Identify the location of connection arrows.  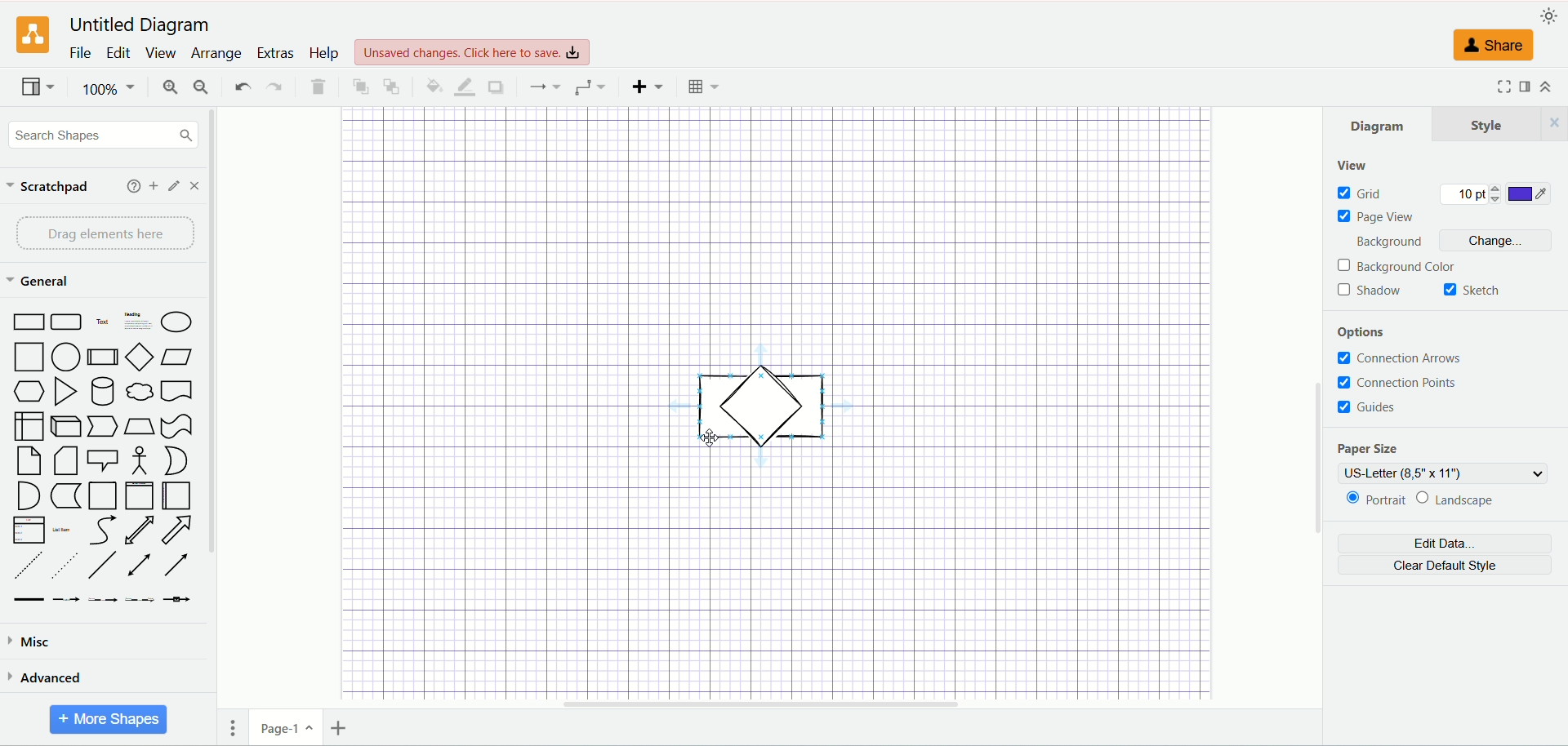
(1415, 358).